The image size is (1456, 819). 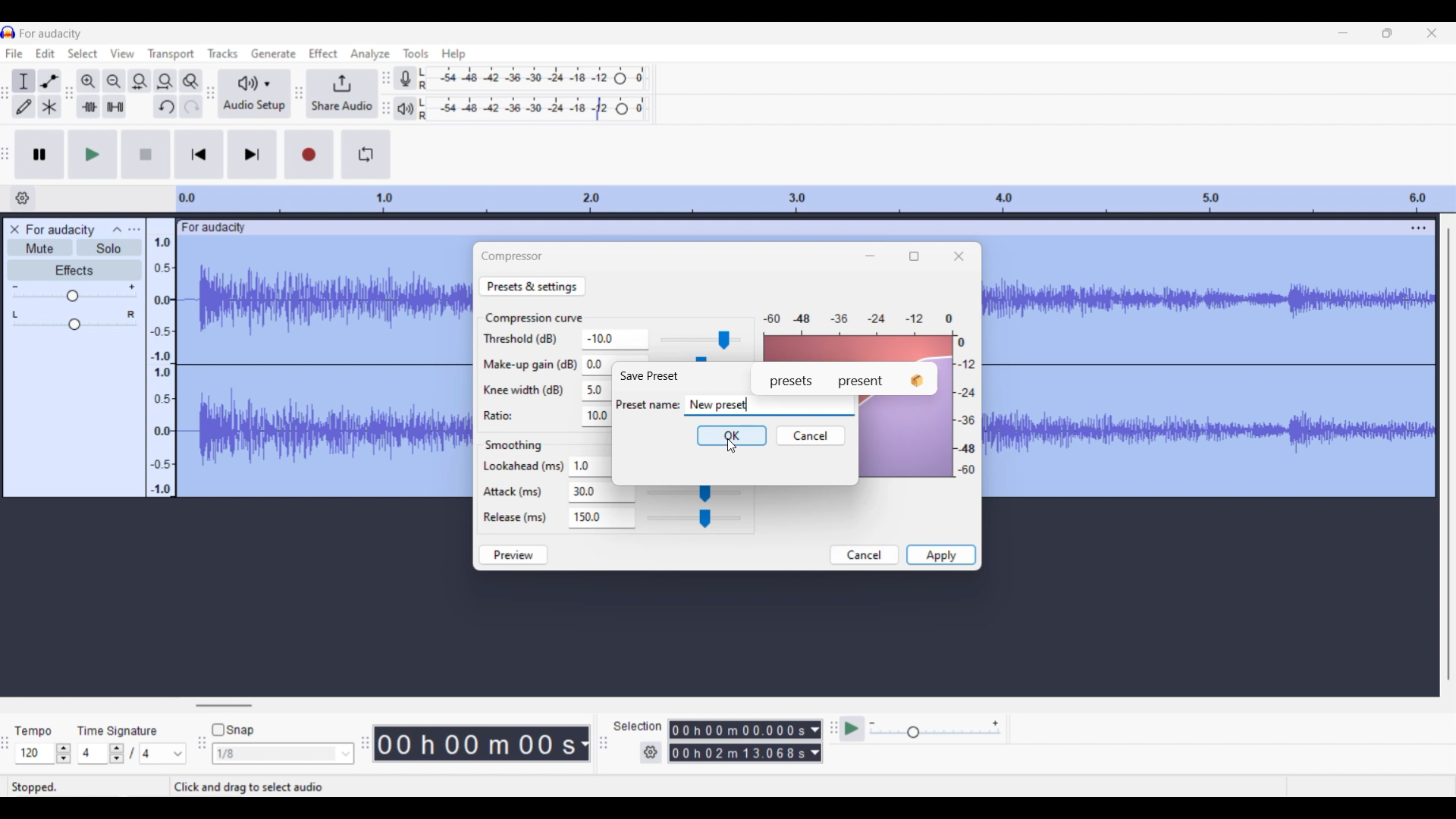 I want to click on Redo, so click(x=191, y=106).